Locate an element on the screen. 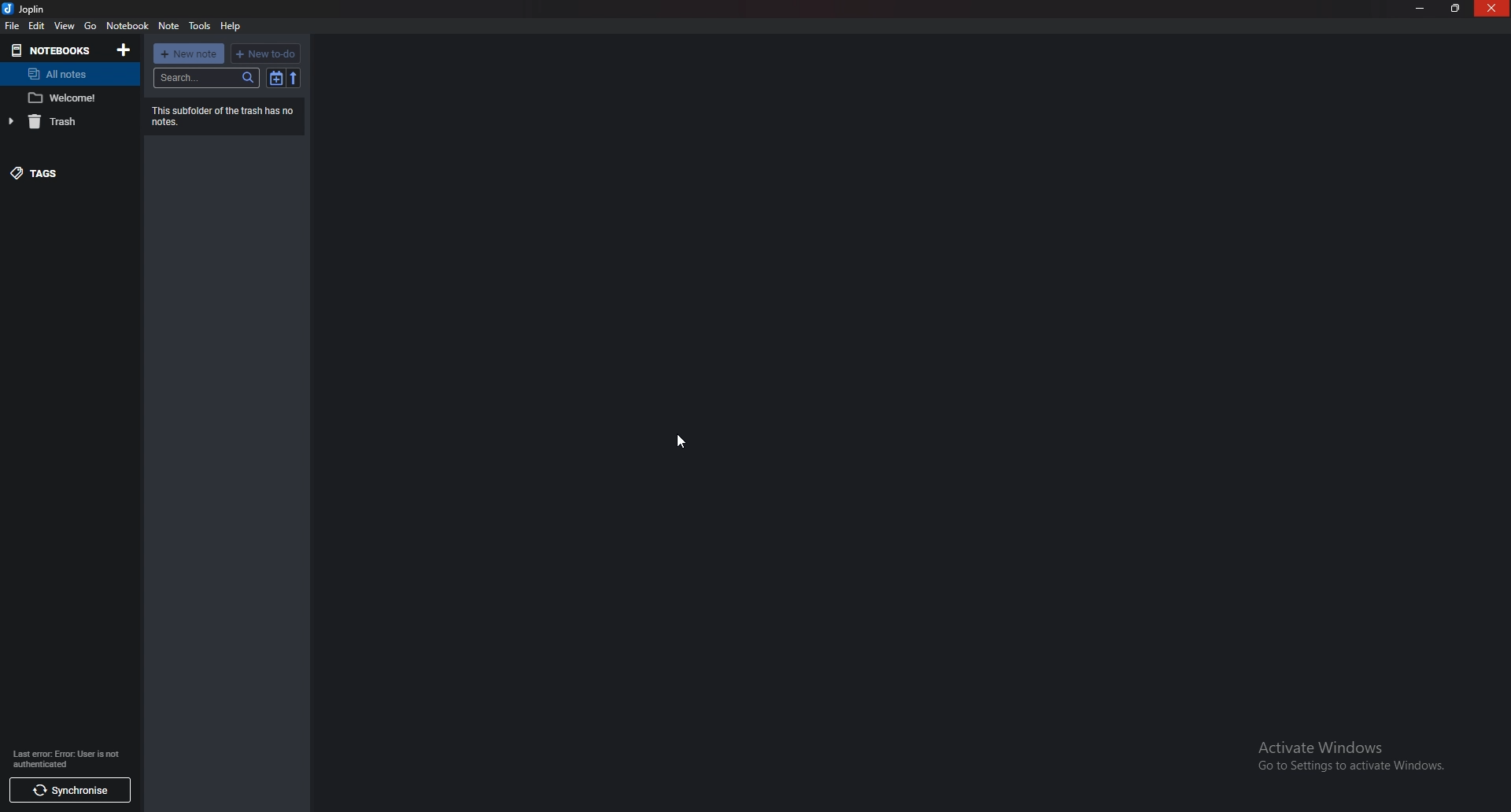 The height and width of the screenshot is (812, 1511). activate windows message is located at coordinates (1354, 758).